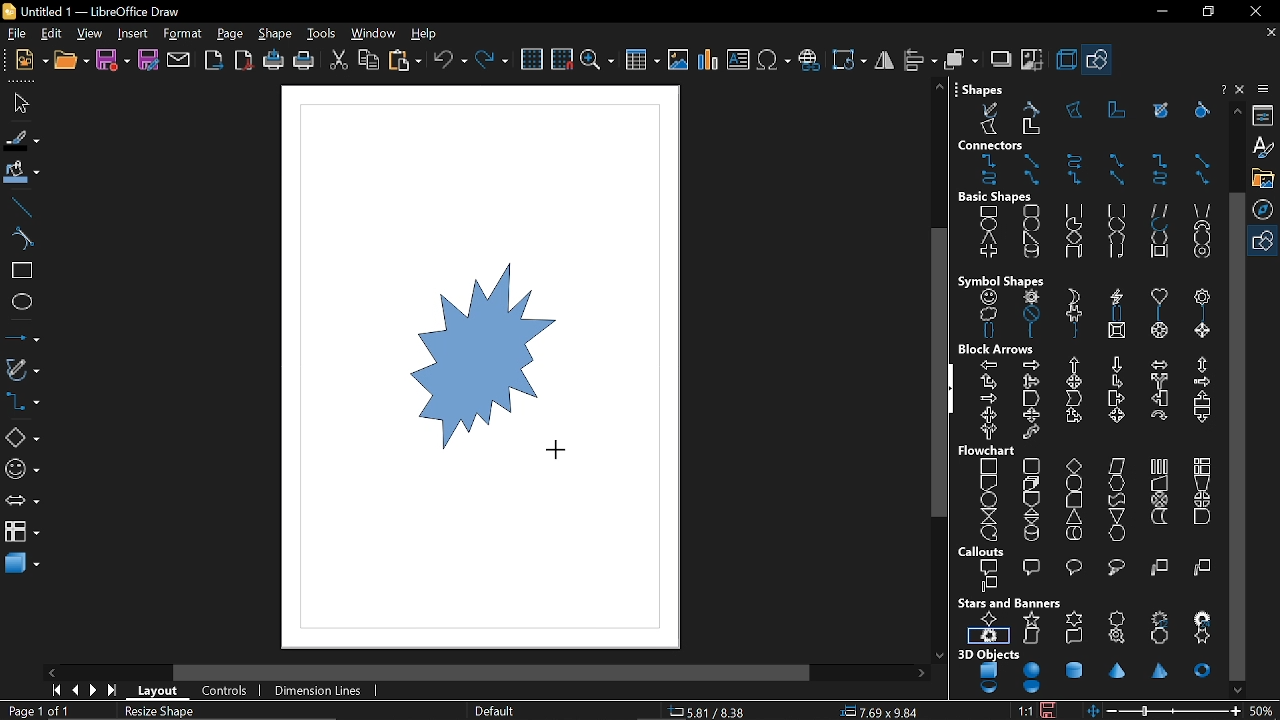 The height and width of the screenshot is (720, 1280). What do you see at coordinates (37, 711) in the screenshot?
I see `current page (Page 1 of 1)` at bounding box center [37, 711].